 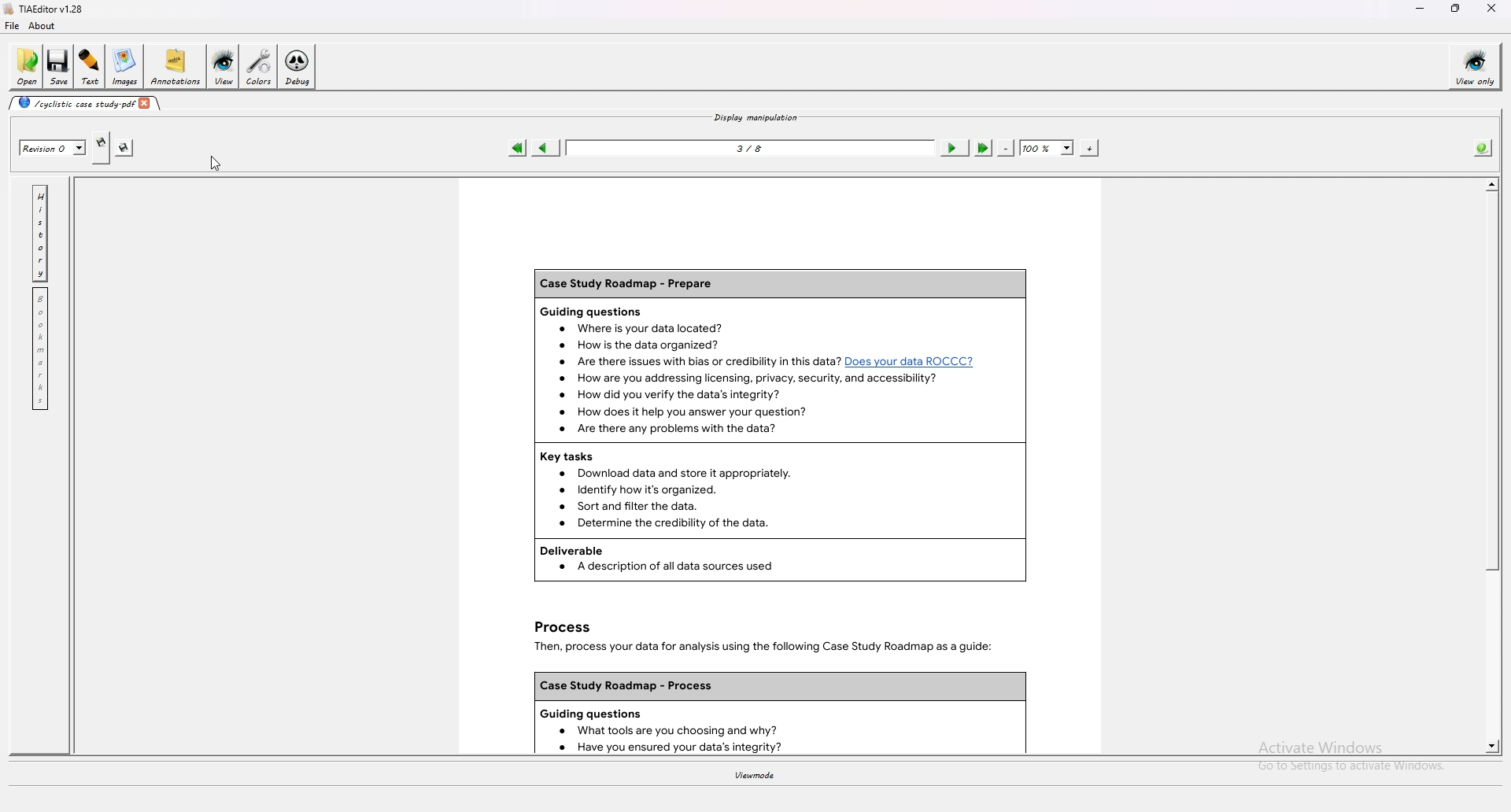 I want to click on Then, process your data for analysis using the following Case Study Roadmap as a guide:, so click(x=763, y=648).